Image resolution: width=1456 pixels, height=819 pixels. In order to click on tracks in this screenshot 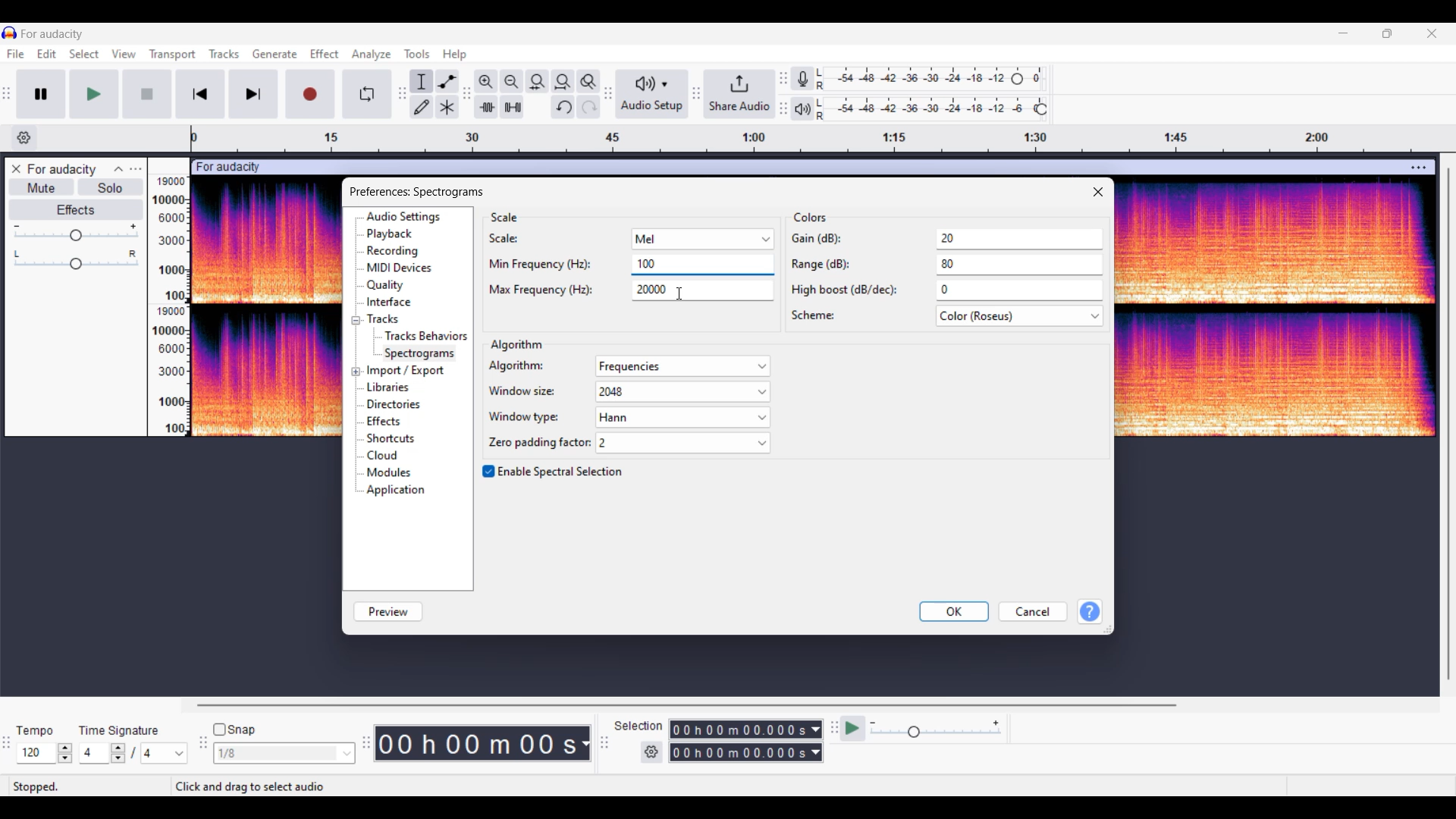, I will do `click(387, 319)`.